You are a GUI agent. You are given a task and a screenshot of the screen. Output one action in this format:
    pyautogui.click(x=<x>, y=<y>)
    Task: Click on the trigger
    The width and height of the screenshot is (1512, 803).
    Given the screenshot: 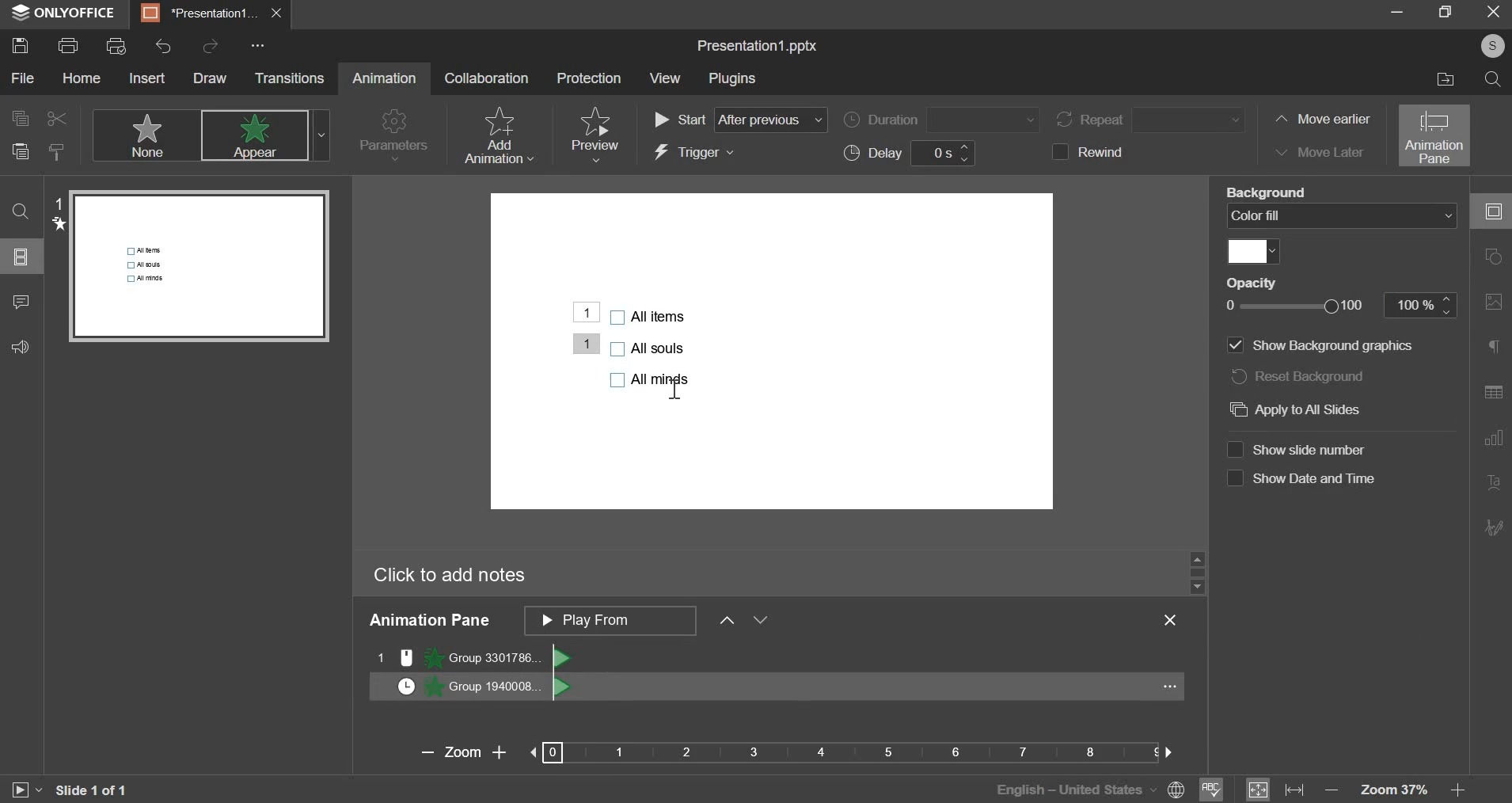 What is the action you would take?
    pyautogui.click(x=695, y=154)
    